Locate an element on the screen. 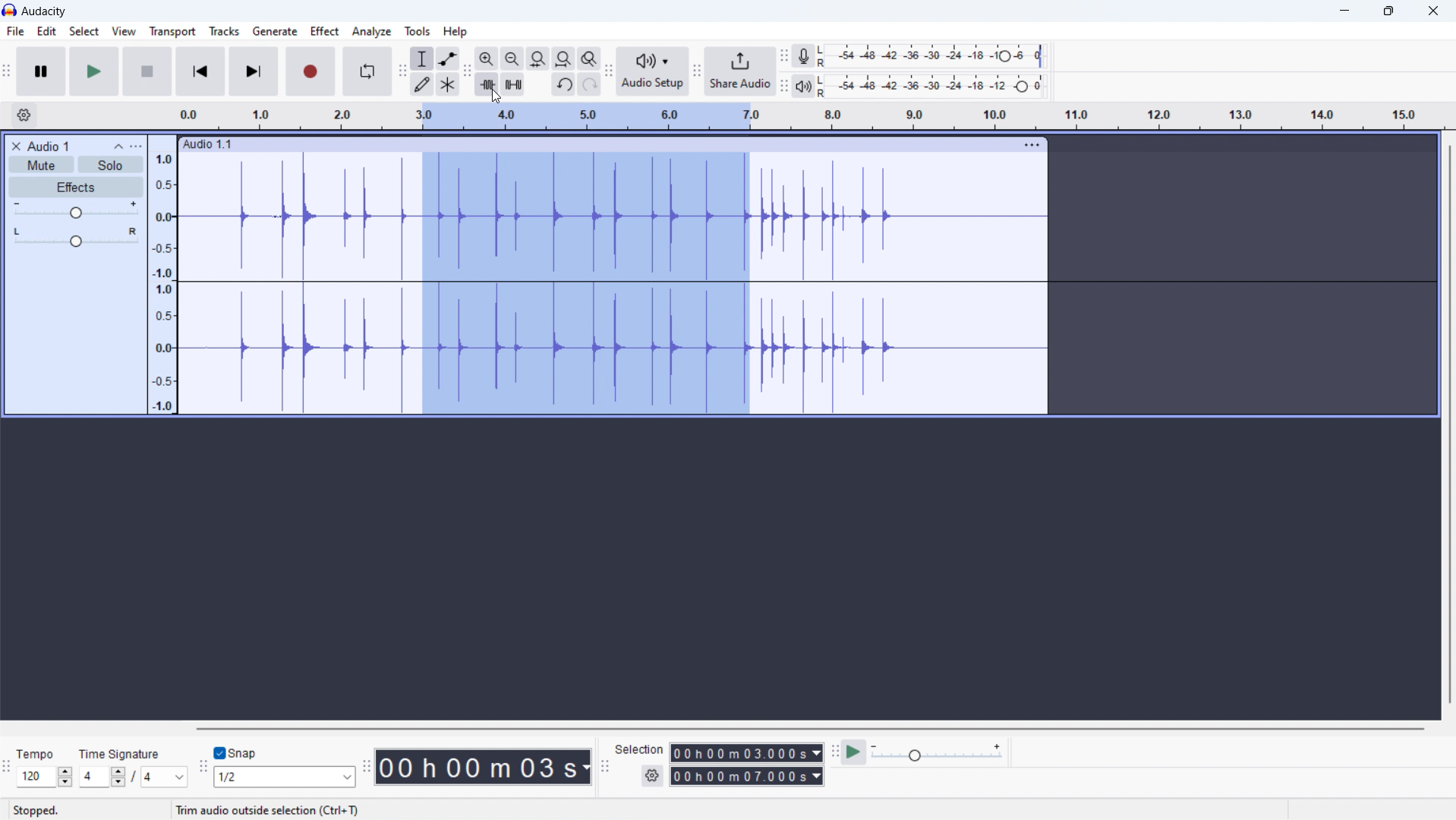 The height and width of the screenshot is (820, 1456). stop is located at coordinates (148, 71).